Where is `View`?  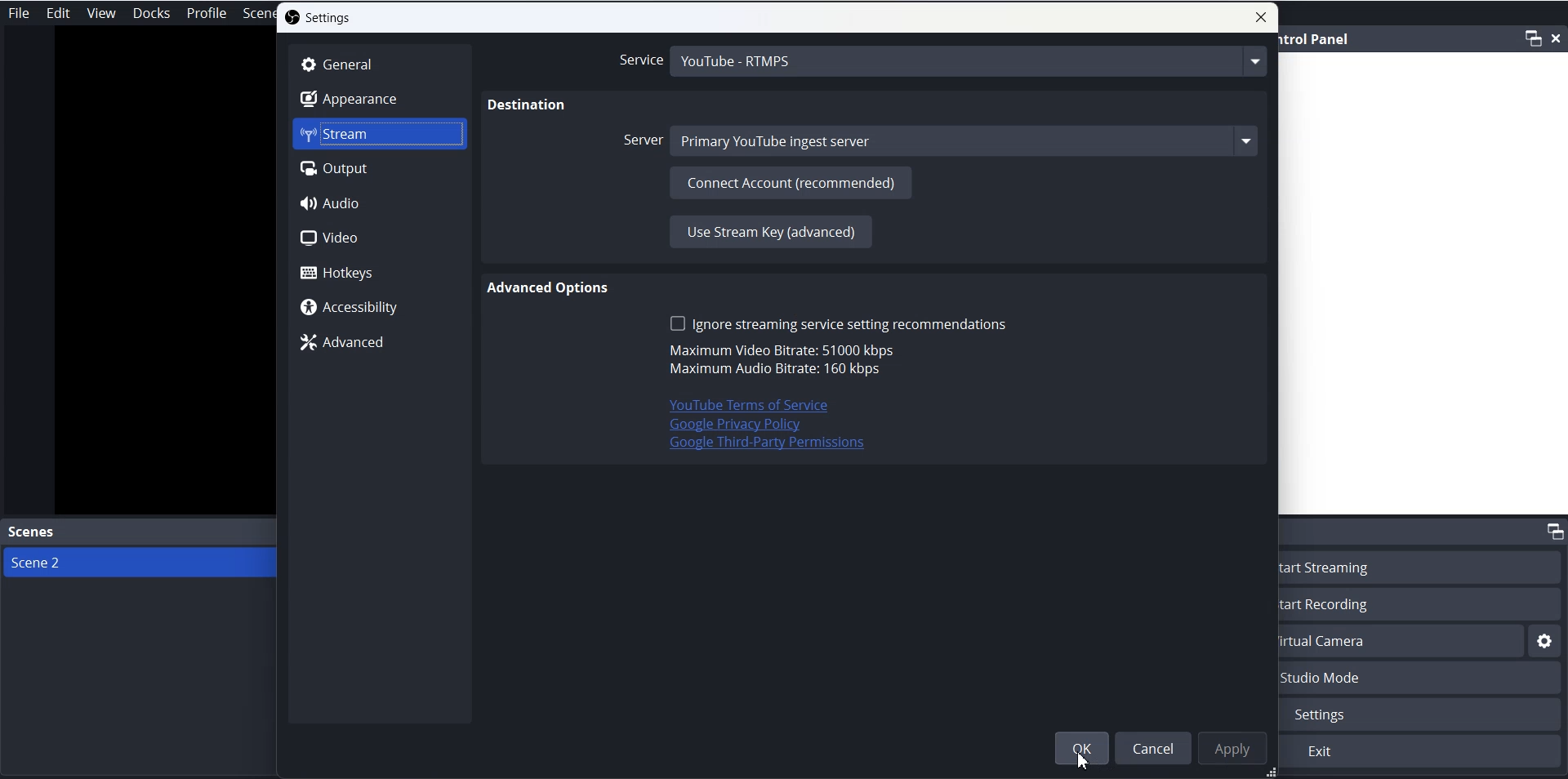
View is located at coordinates (101, 13).